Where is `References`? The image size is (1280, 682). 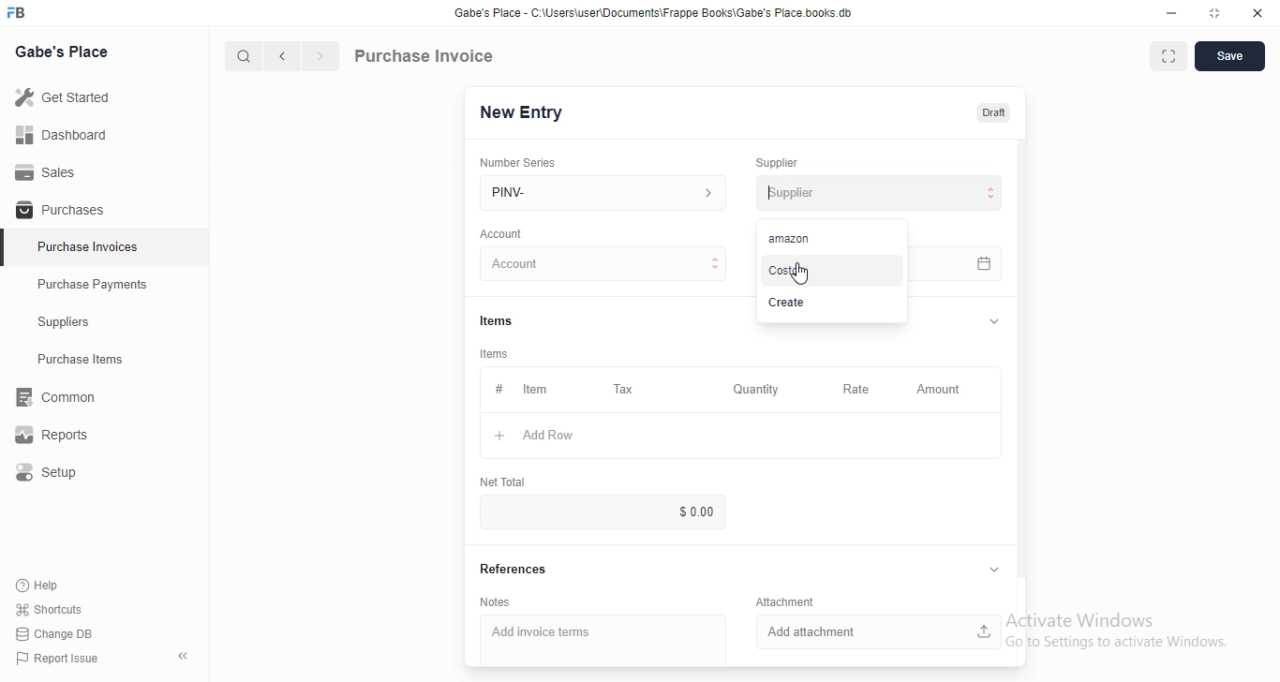 References is located at coordinates (514, 568).